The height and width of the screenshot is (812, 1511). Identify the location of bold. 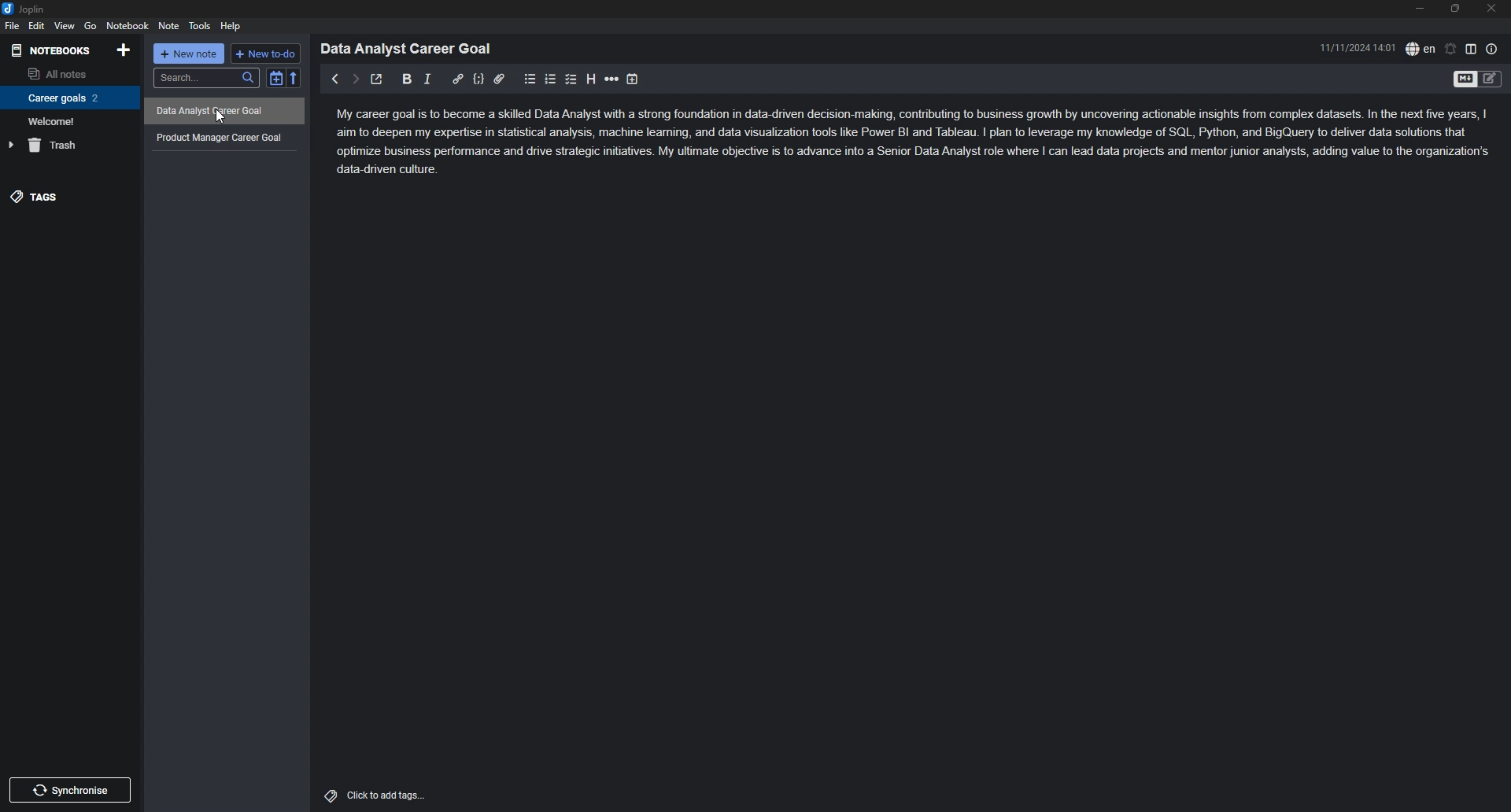
(408, 79).